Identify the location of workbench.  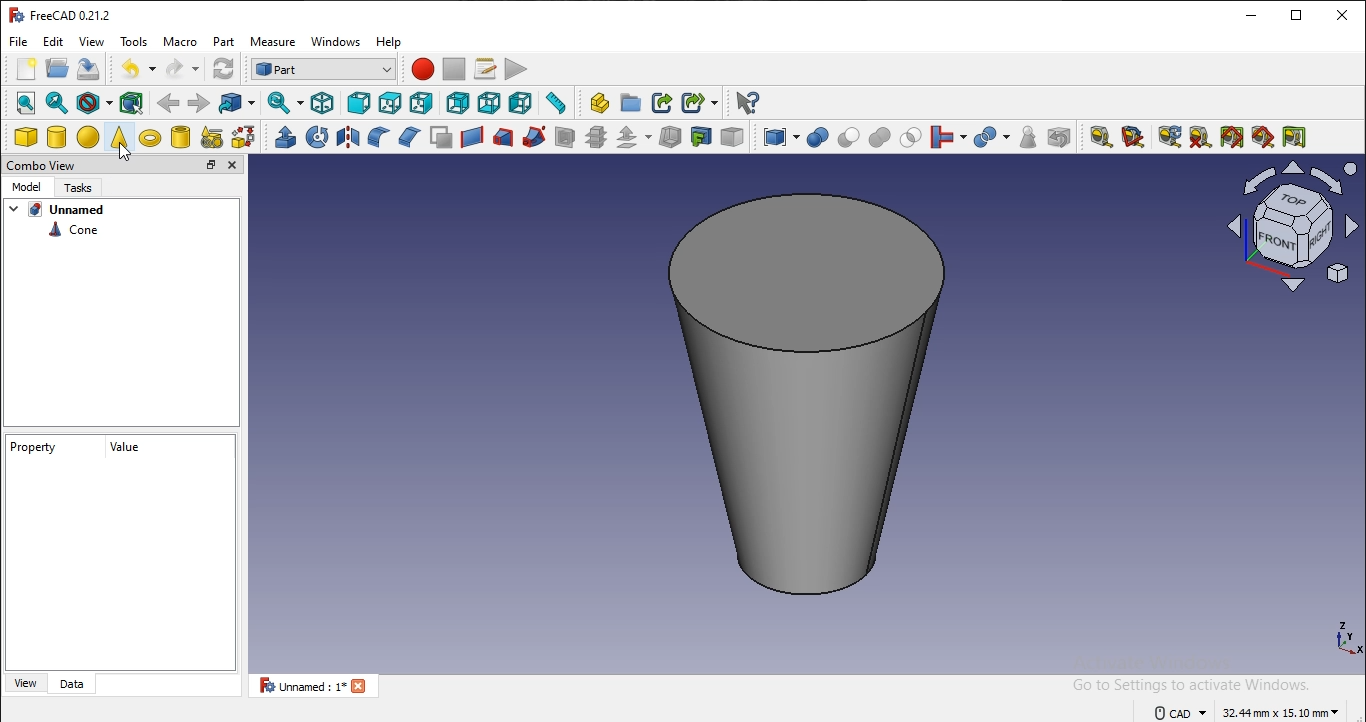
(325, 69).